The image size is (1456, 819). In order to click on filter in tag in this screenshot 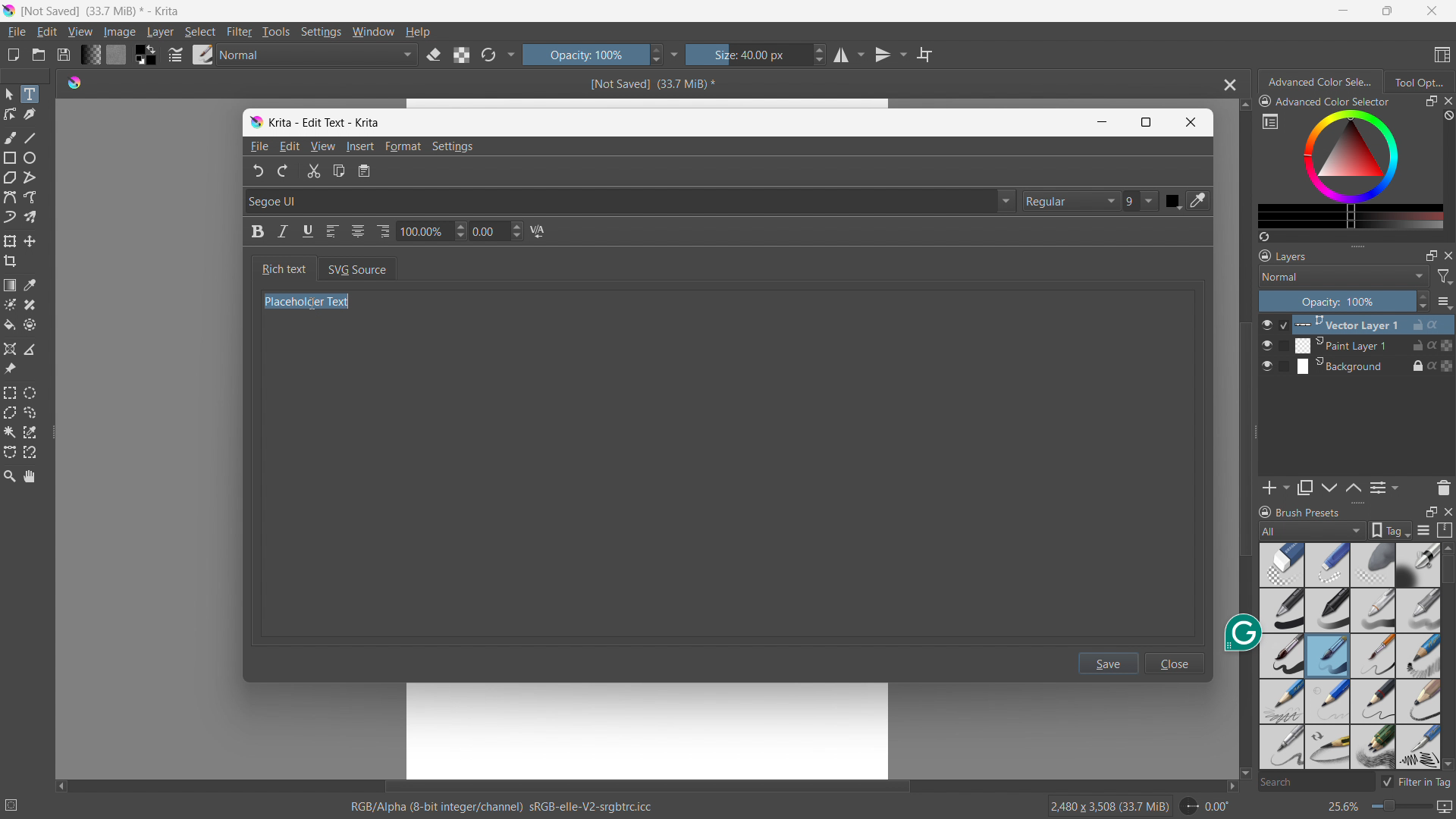, I will do `click(1416, 780)`.